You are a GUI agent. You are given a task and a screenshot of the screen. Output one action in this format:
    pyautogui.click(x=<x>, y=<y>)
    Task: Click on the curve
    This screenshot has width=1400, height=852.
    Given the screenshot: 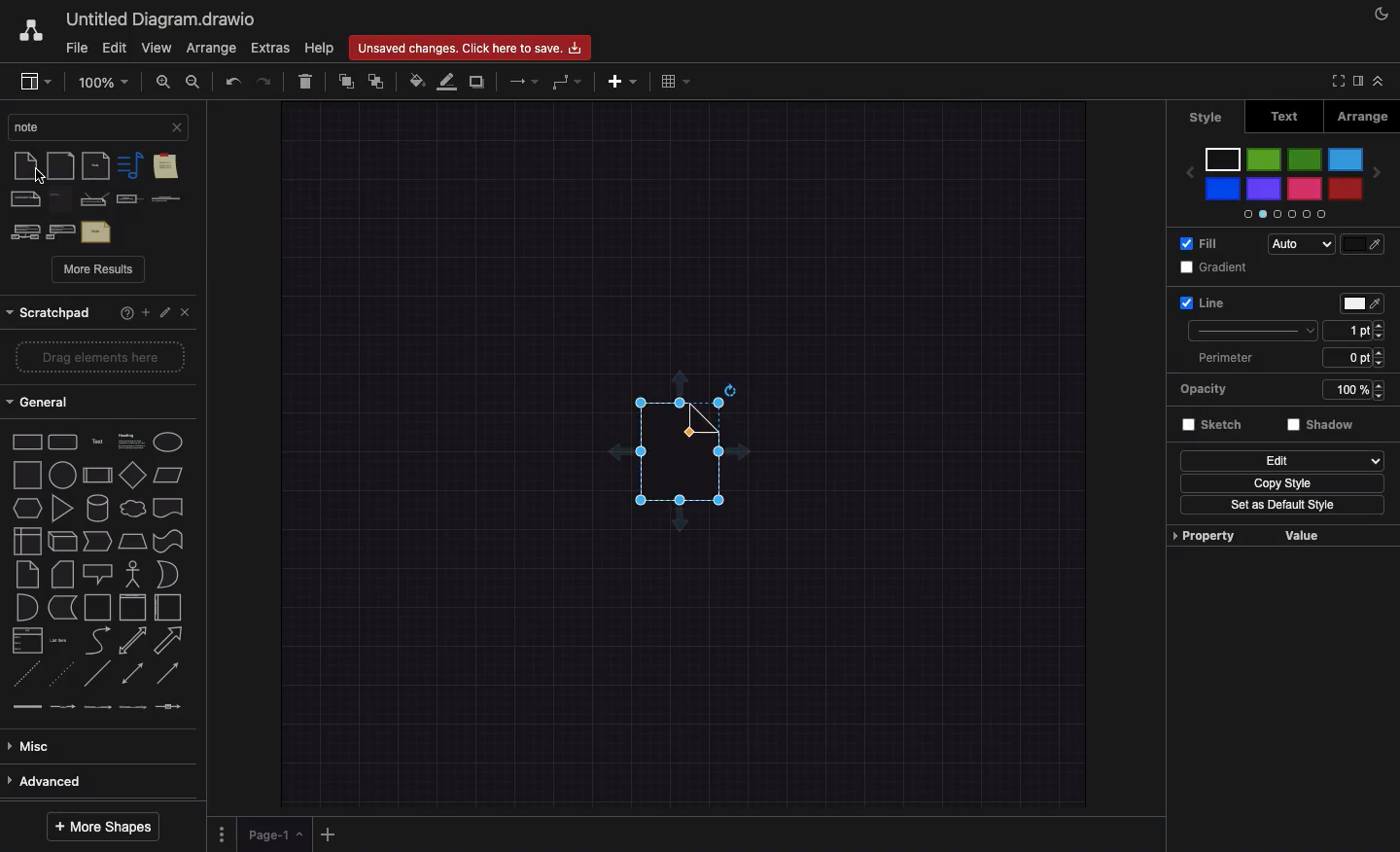 What is the action you would take?
    pyautogui.click(x=97, y=642)
    